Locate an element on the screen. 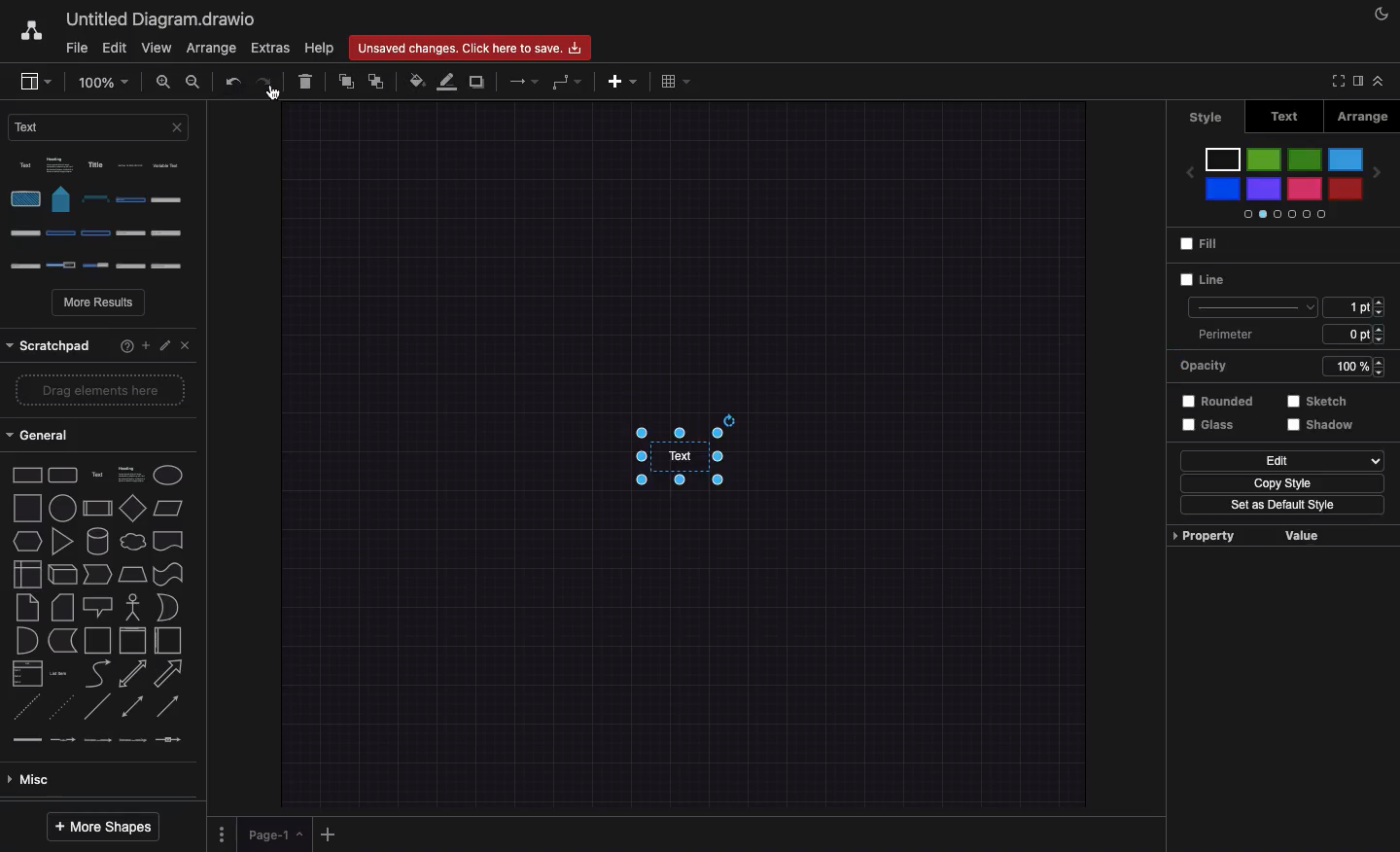  Draw.io is located at coordinates (30, 30).